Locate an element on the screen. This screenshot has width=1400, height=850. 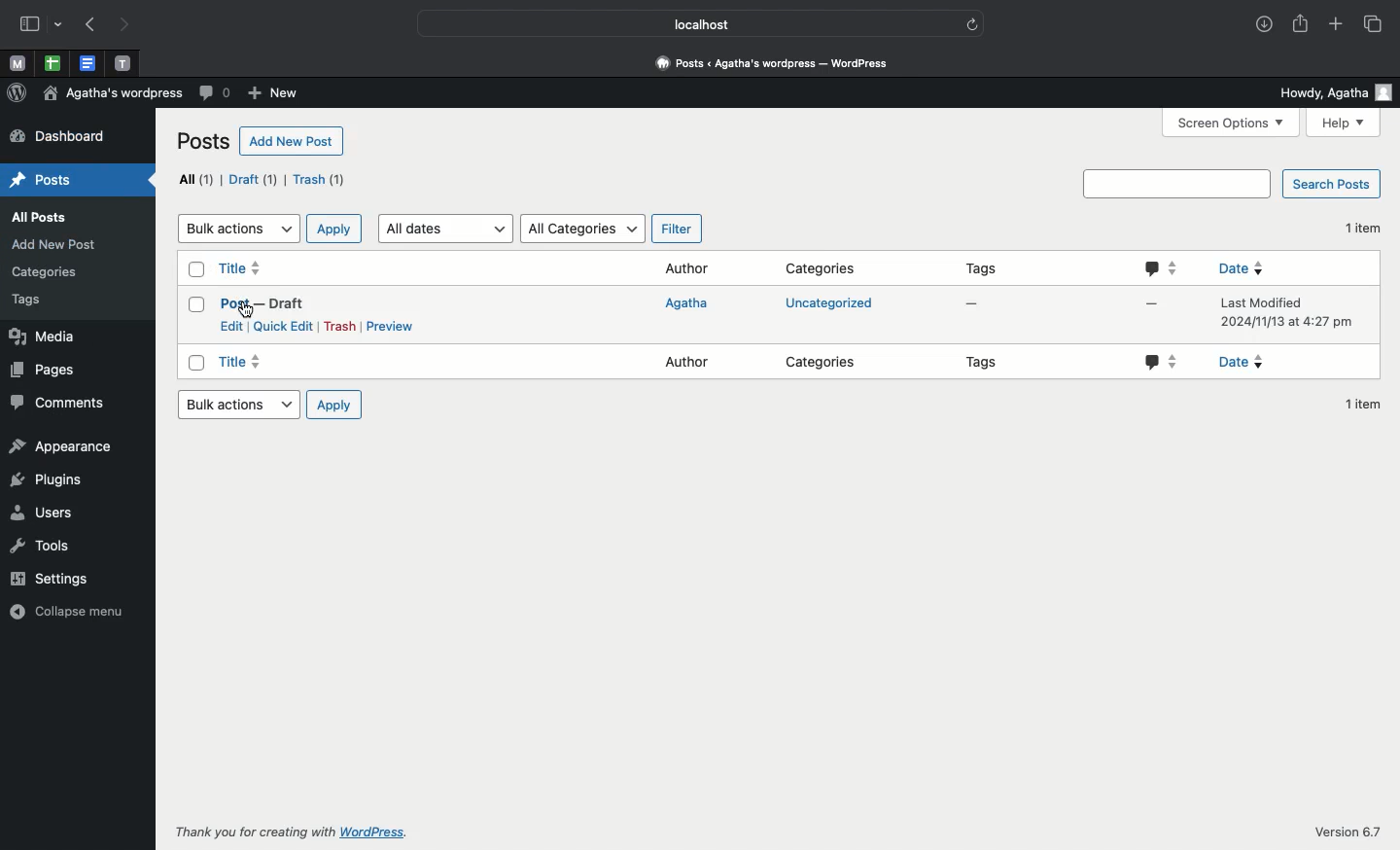
1 item is located at coordinates (1365, 404).